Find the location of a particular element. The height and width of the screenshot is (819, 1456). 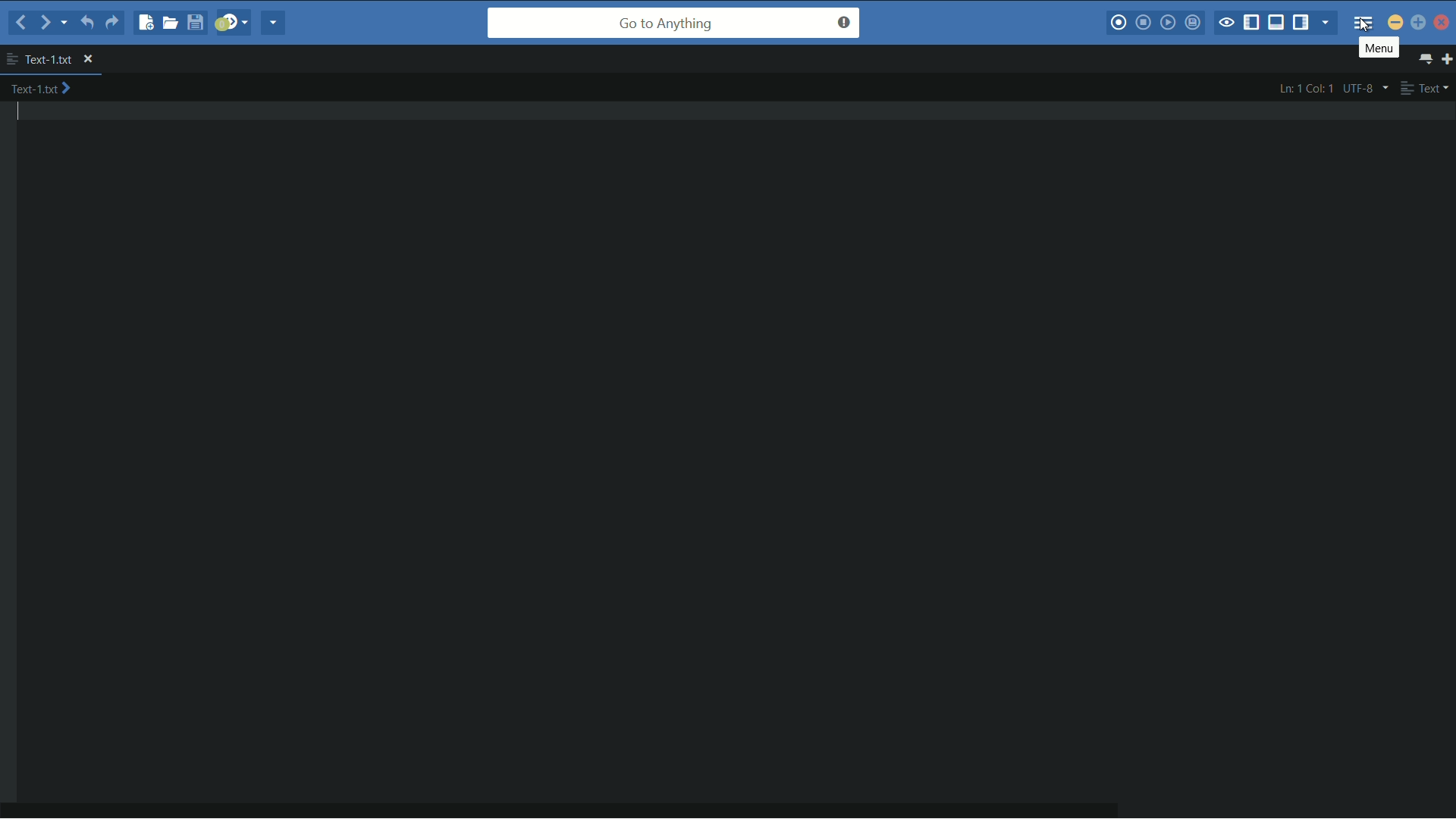

text cursor is located at coordinates (24, 112).